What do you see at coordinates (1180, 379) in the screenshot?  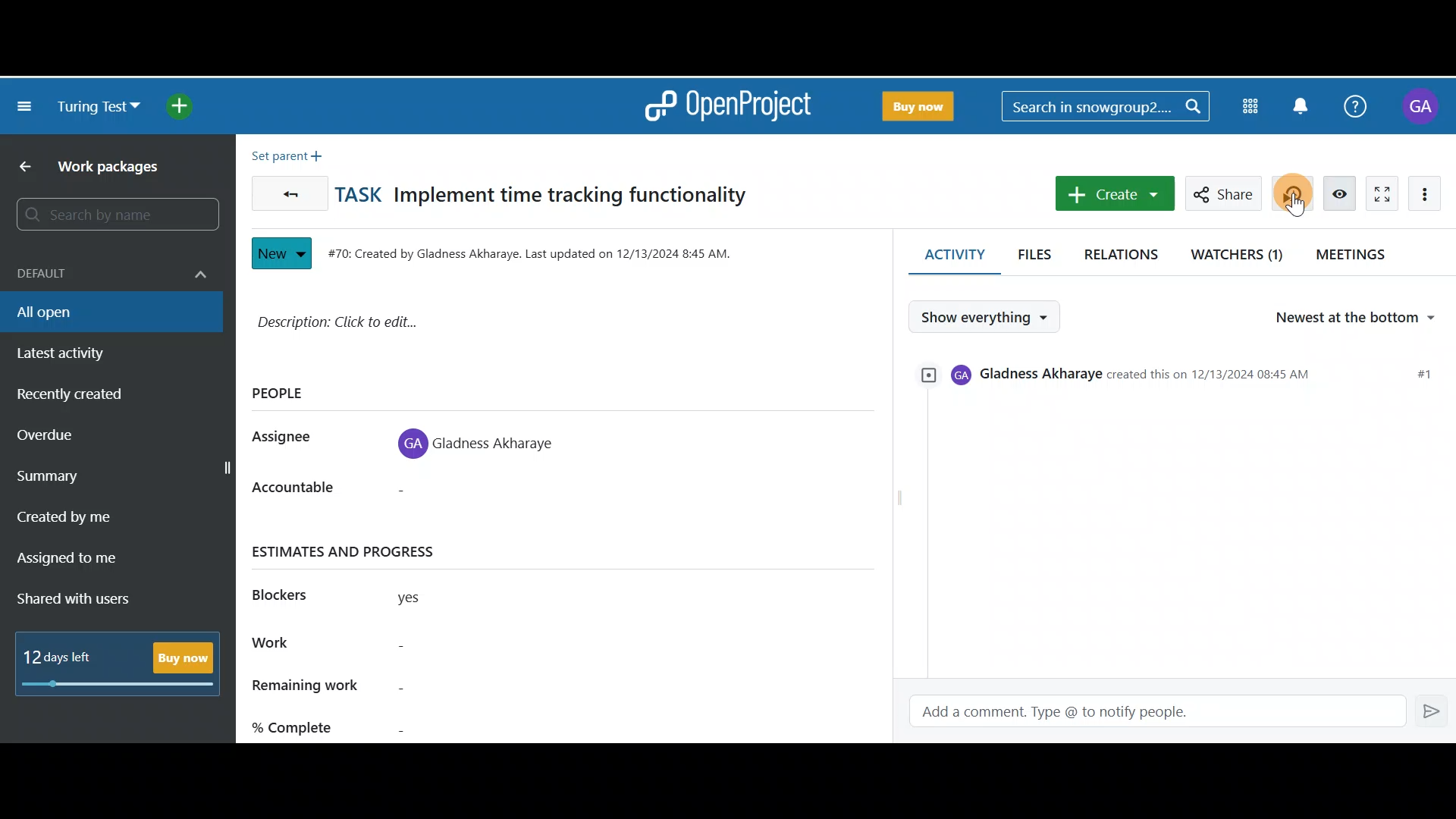 I see `Gladness Akharaye created this on 12/13/2024 08:45 AM #1` at bounding box center [1180, 379].